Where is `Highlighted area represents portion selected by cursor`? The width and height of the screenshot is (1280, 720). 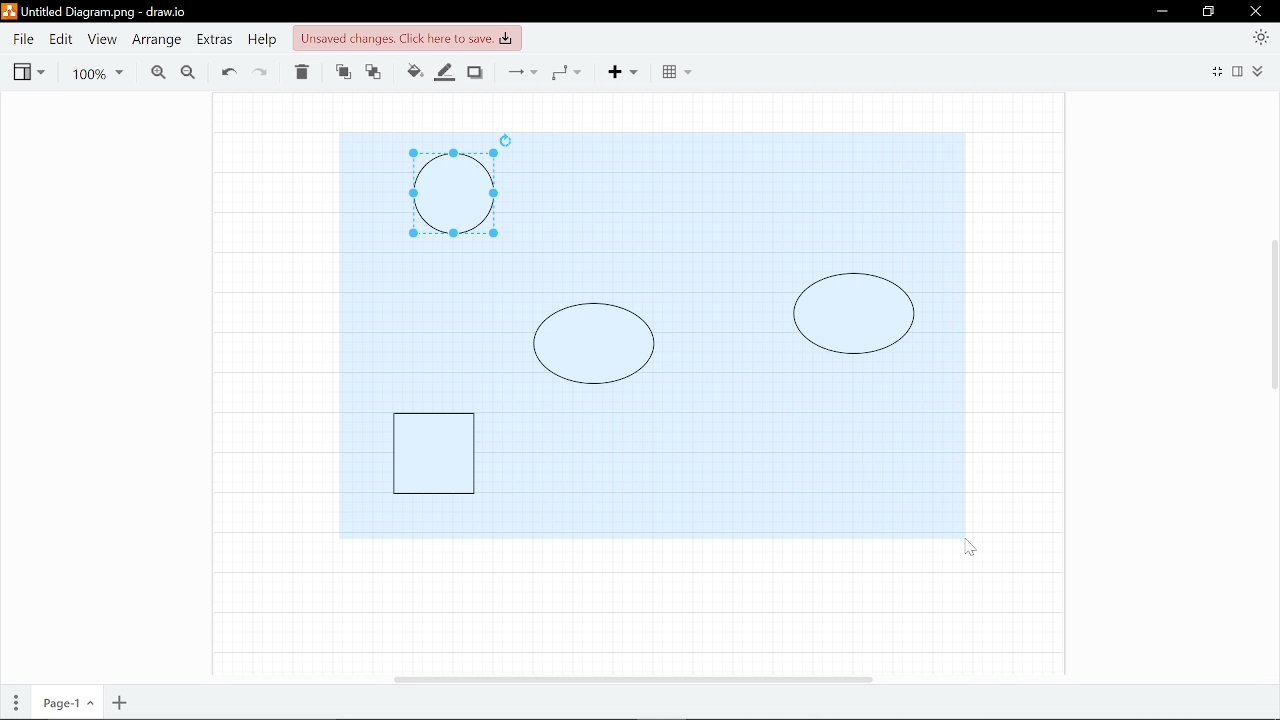
Highlighted area represents portion selected by cursor is located at coordinates (723, 464).